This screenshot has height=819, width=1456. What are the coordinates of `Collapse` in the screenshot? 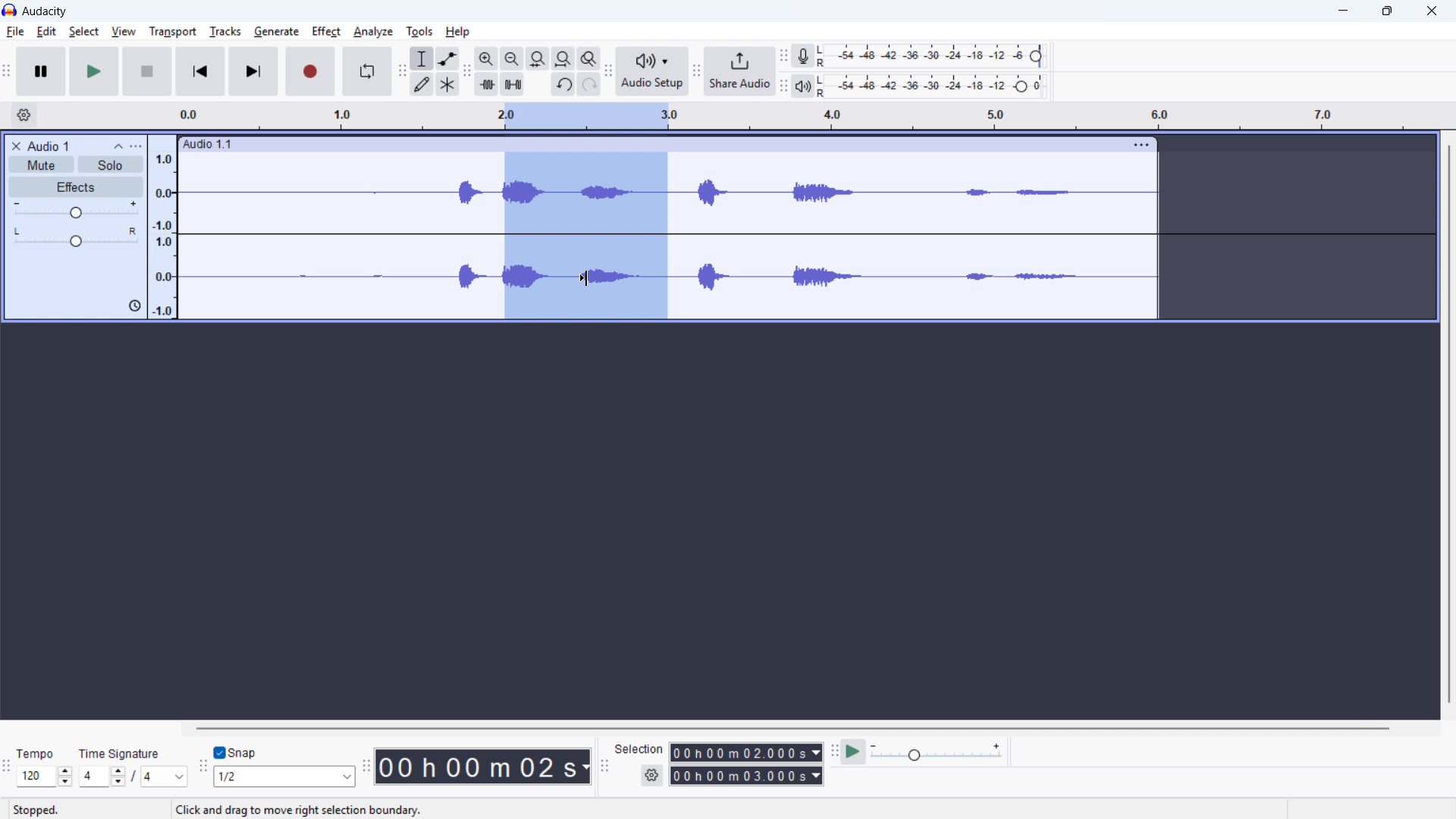 It's located at (118, 146).